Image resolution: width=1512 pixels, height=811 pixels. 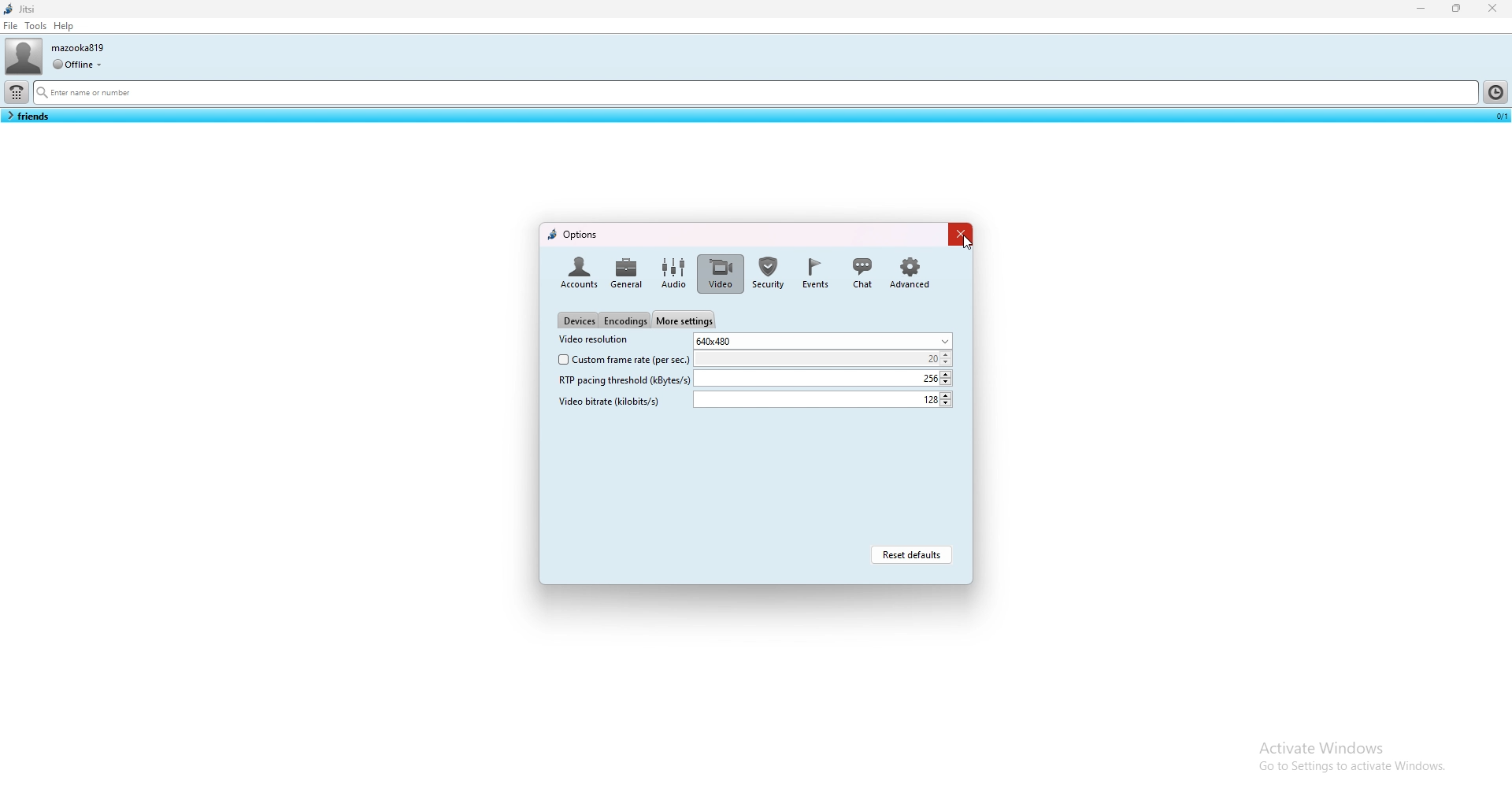 I want to click on jitsi, so click(x=23, y=9).